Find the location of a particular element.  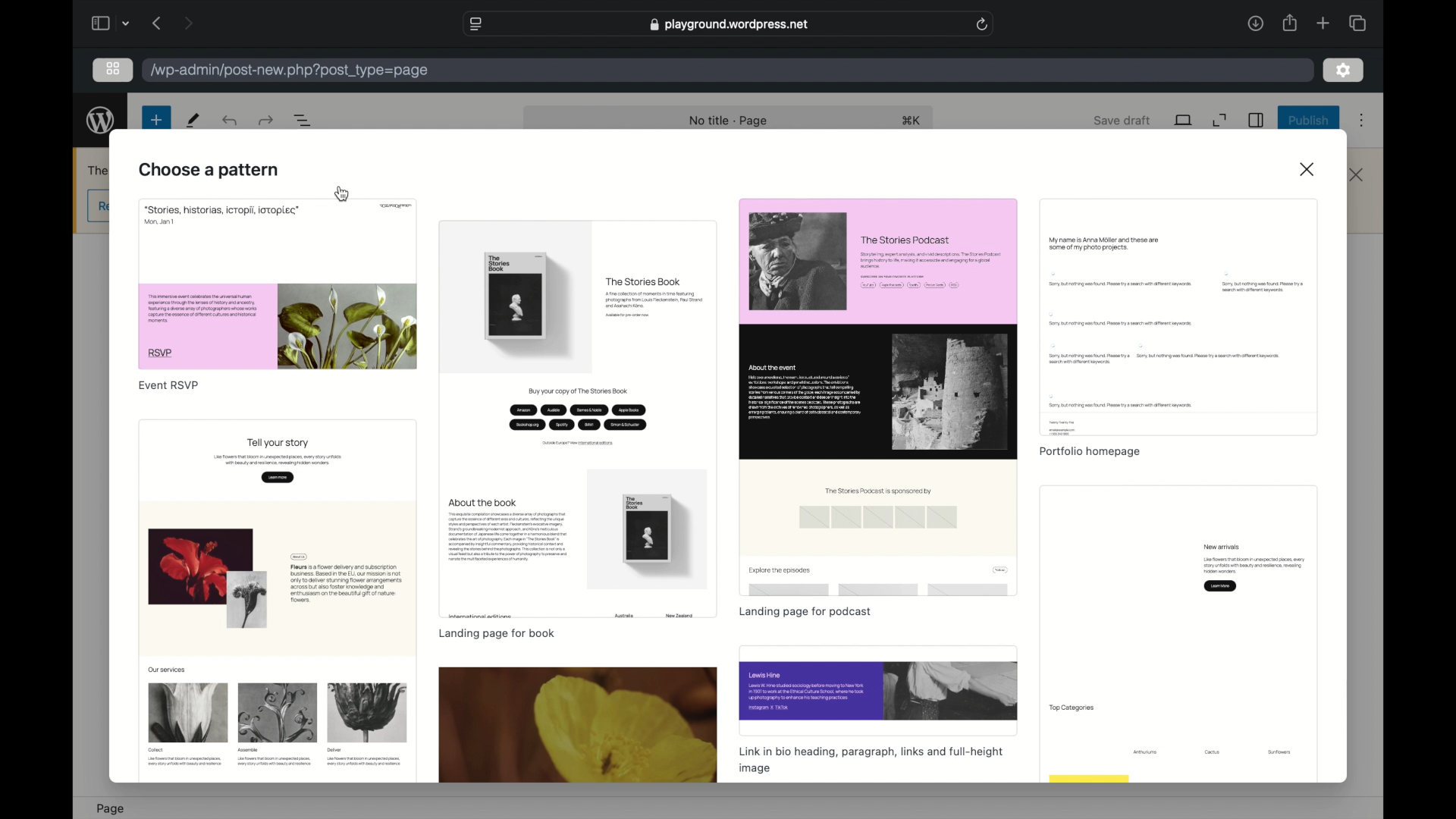

shortcut is located at coordinates (912, 120).